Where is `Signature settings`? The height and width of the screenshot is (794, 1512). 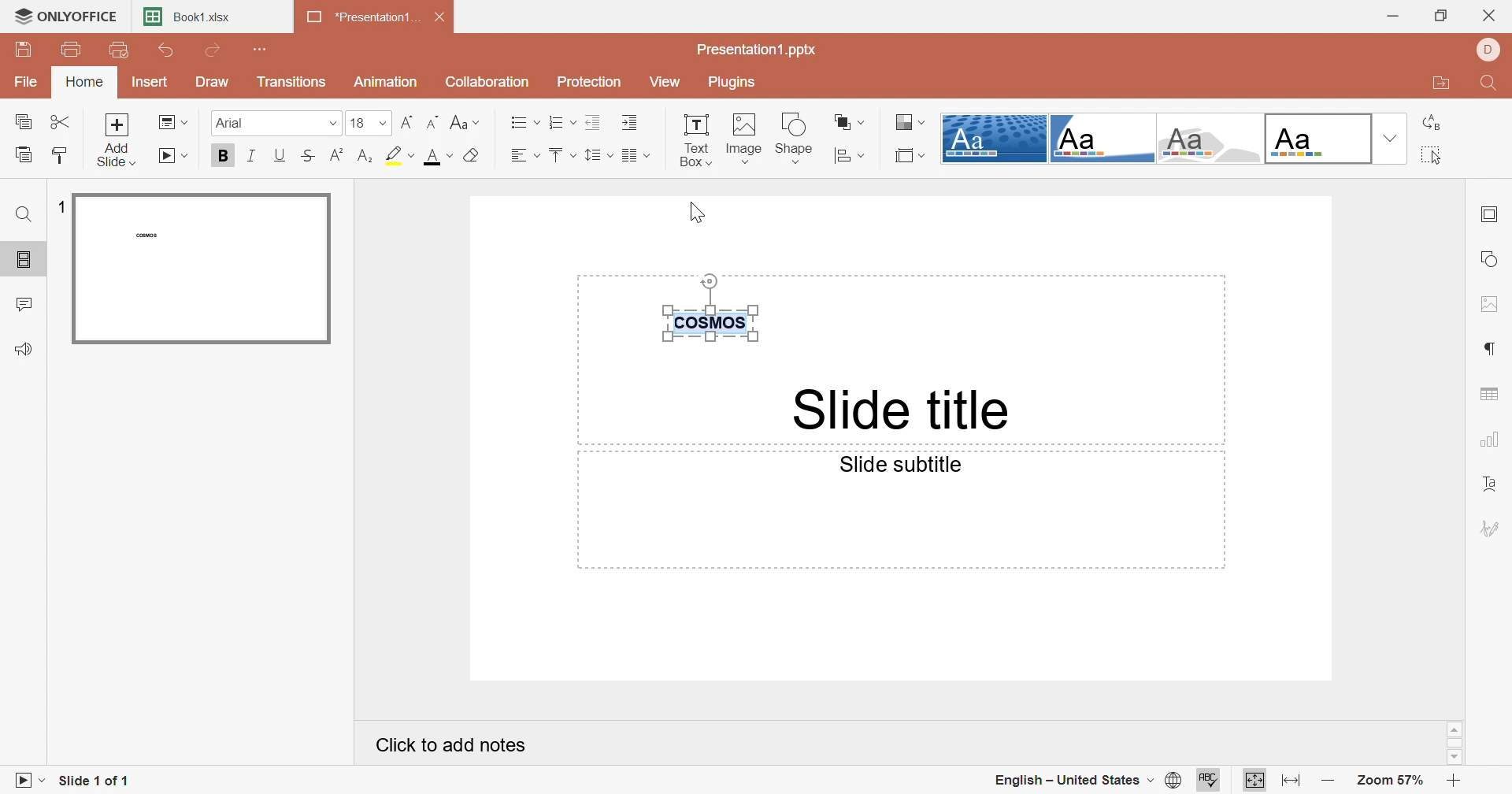 Signature settings is located at coordinates (1493, 530).